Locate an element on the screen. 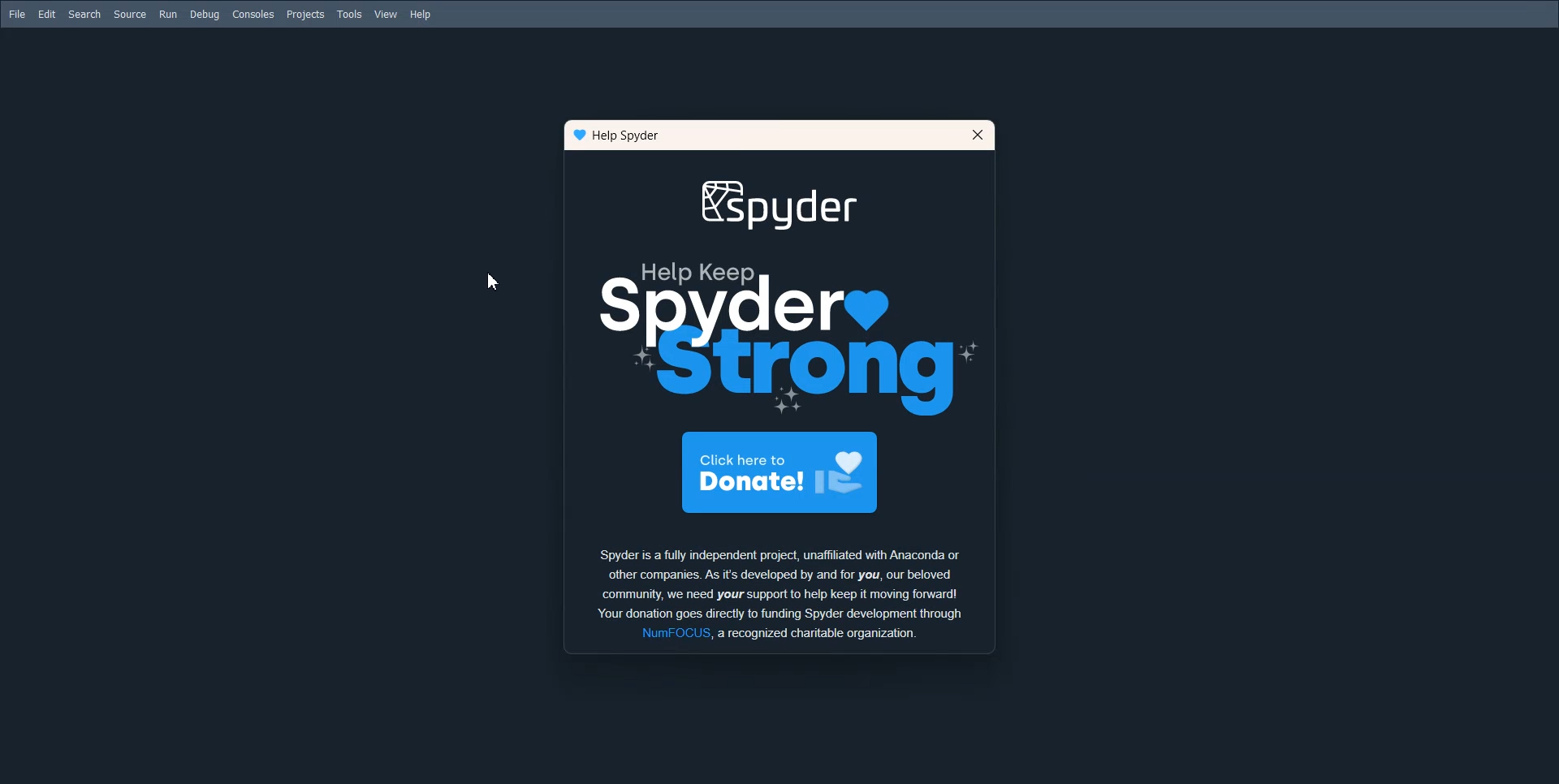 The height and width of the screenshot is (784, 1559). Click here to donate is located at coordinates (782, 474).